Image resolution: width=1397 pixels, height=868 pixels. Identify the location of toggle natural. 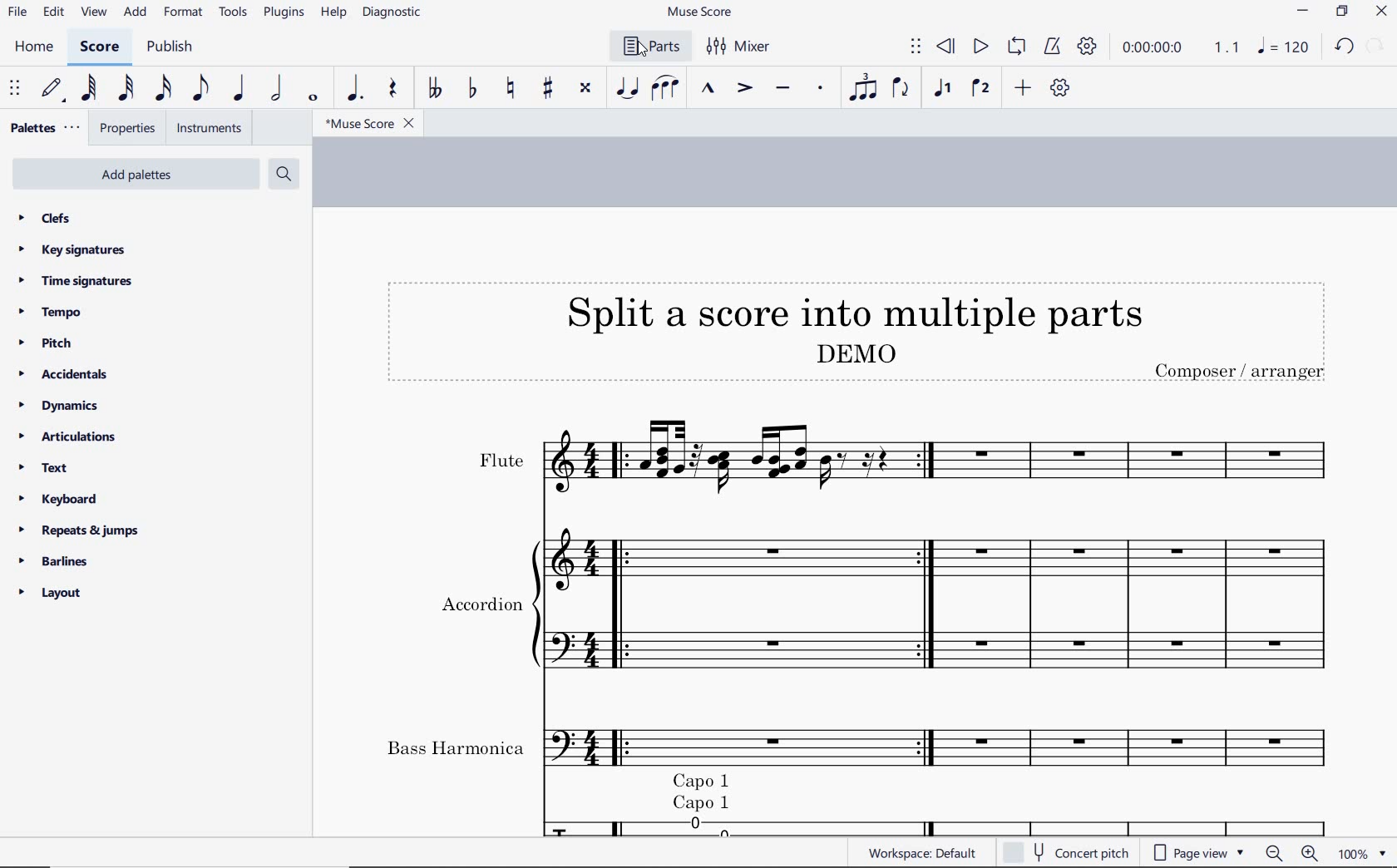
(512, 87).